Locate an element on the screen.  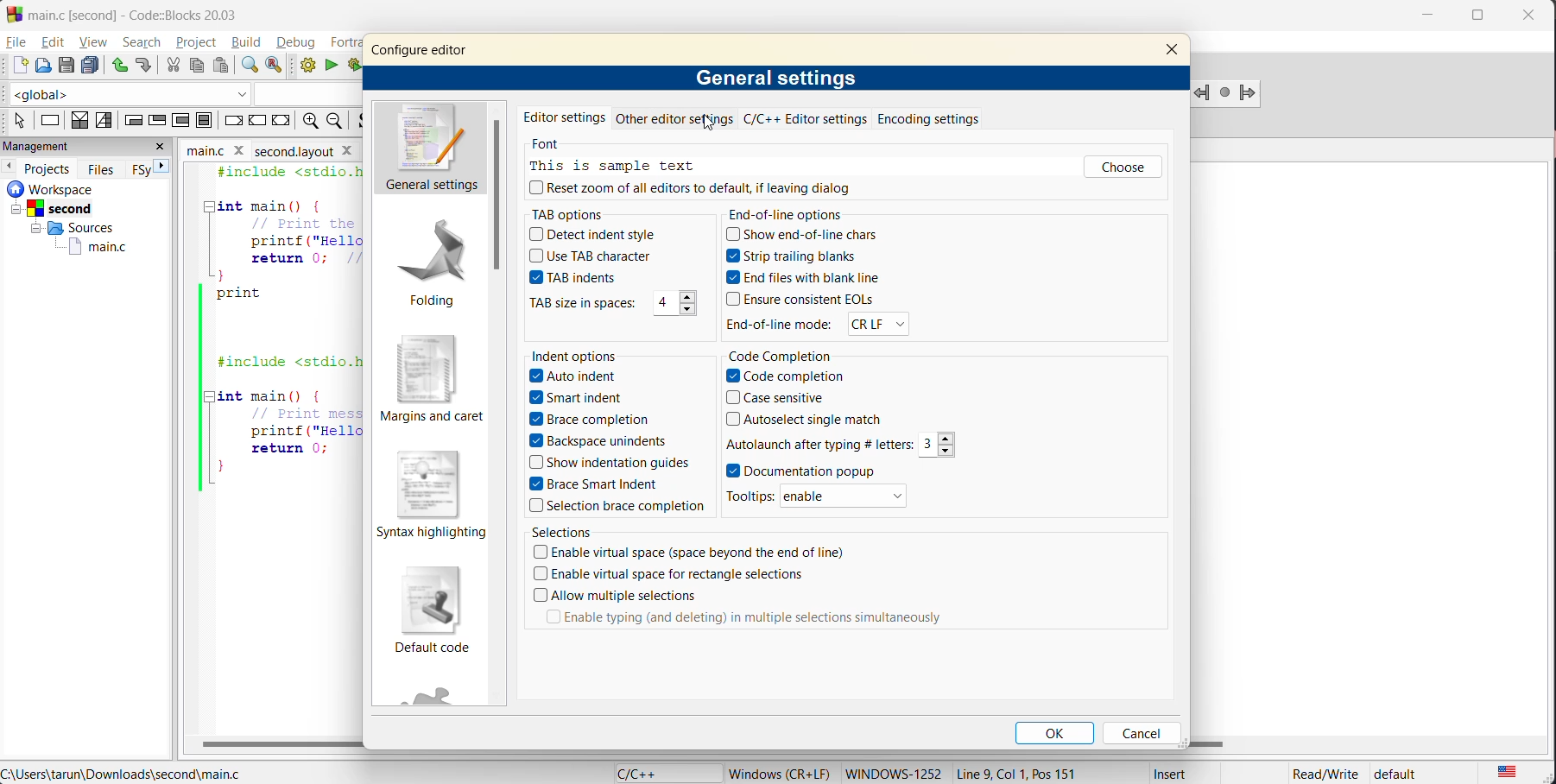
editor settings is located at coordinates (566, 117).